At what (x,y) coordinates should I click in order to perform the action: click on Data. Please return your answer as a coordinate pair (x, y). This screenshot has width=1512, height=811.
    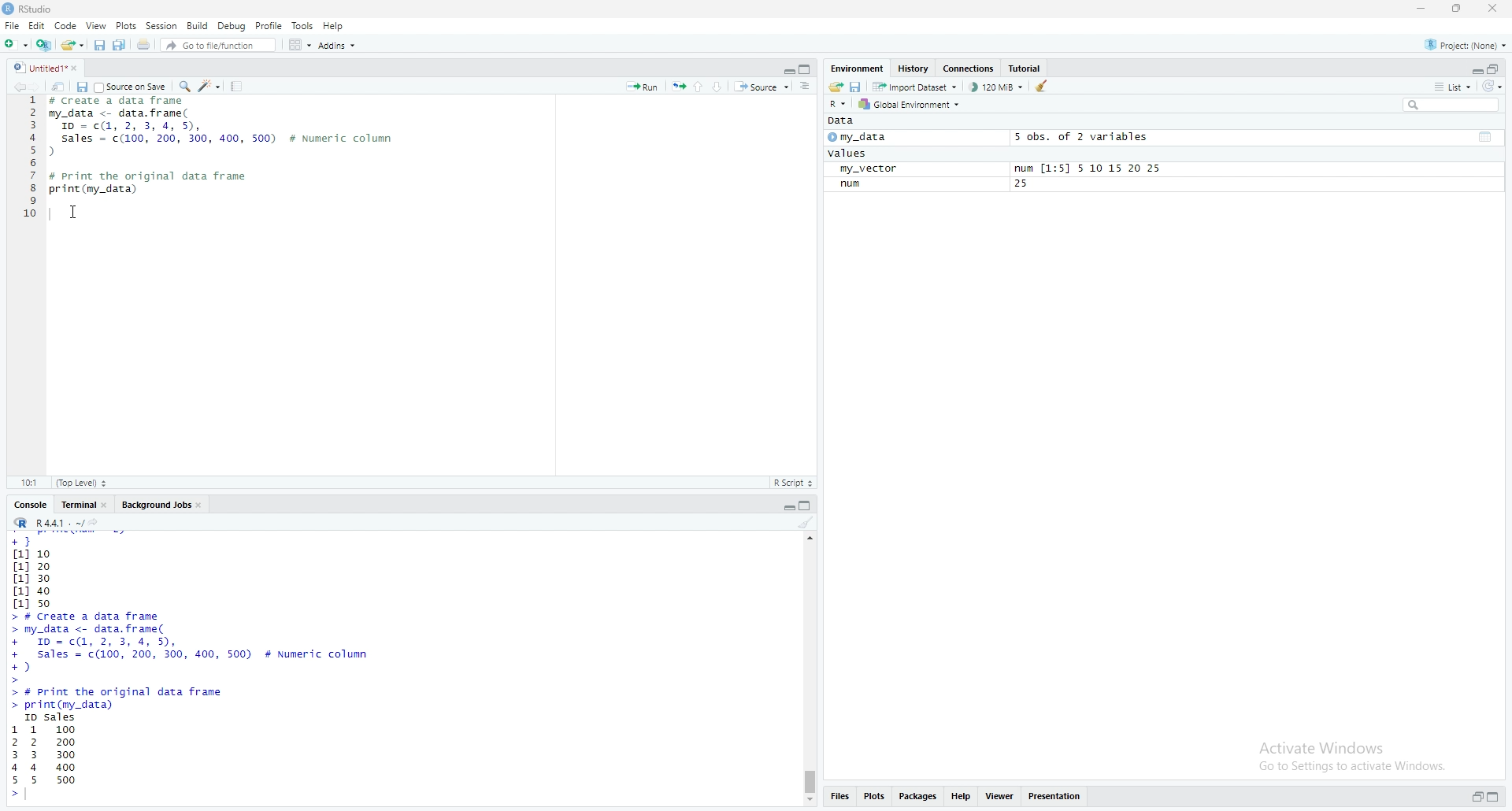
    Looking at the image, I should click on (843, 123).